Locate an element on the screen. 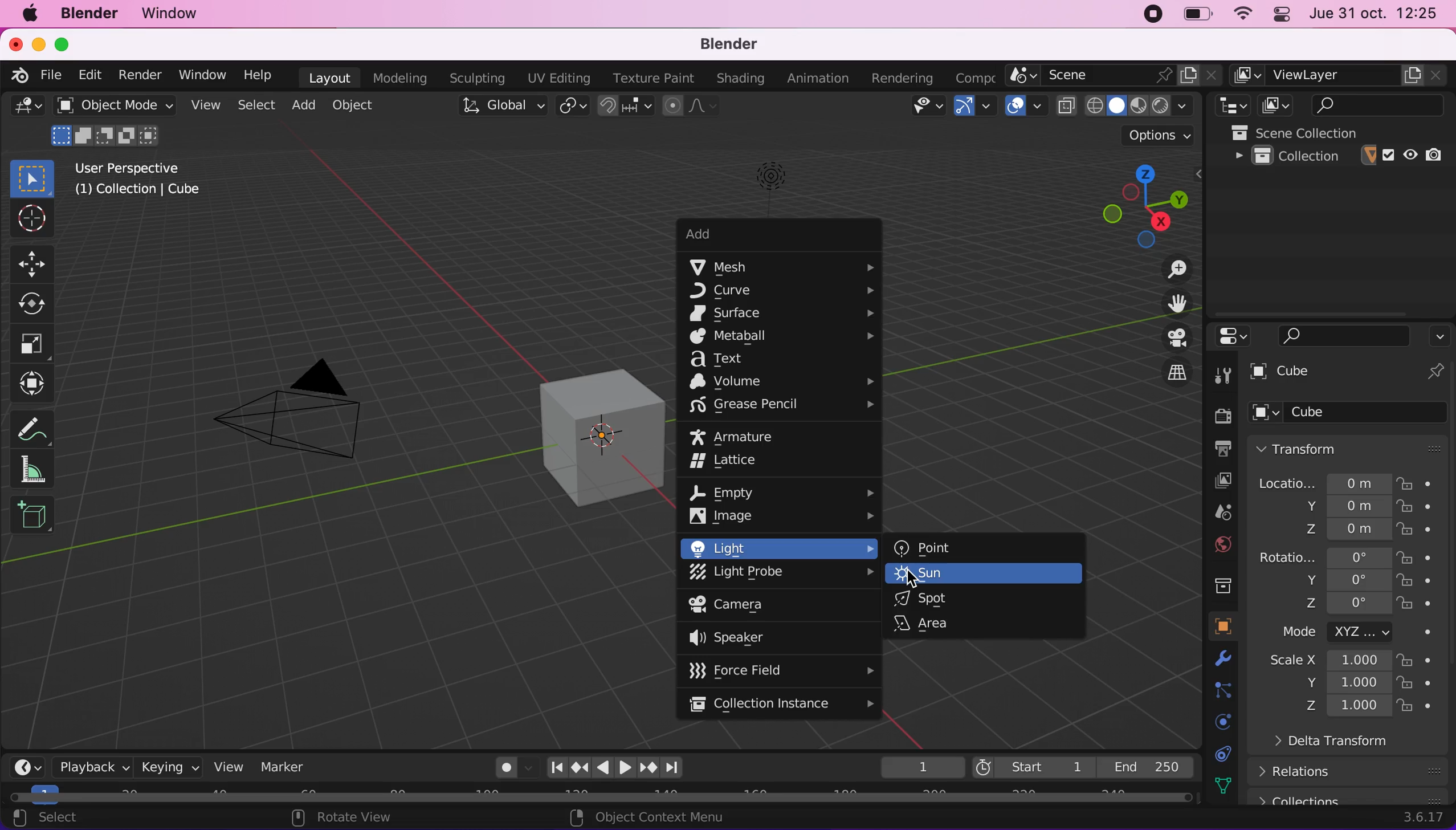 Image resolution: width=1456 pixels, height=830 pixels. annotate is located at coordinates (40, 470).